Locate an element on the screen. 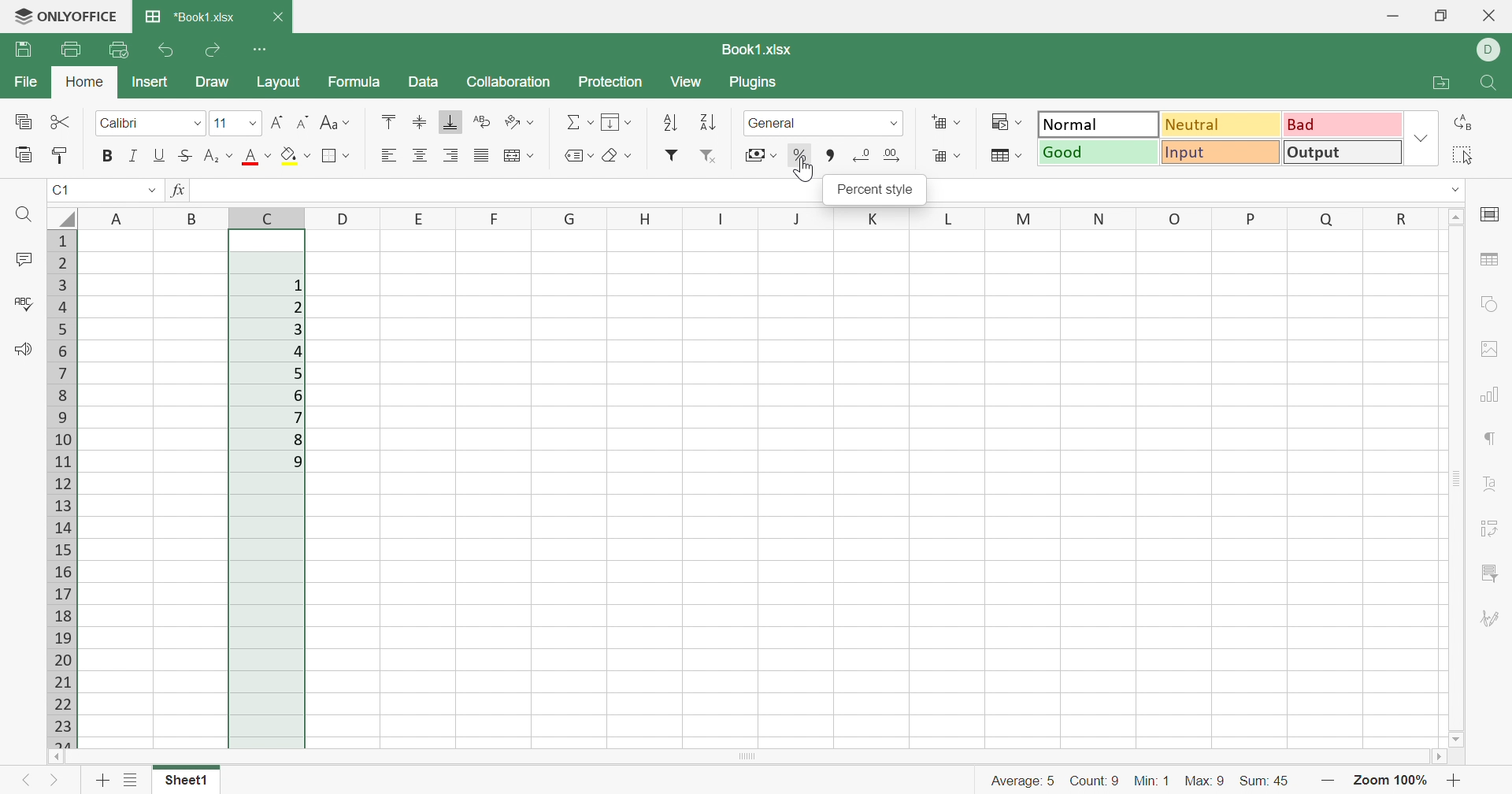  Drop Down is located at coordinates (892, 123).